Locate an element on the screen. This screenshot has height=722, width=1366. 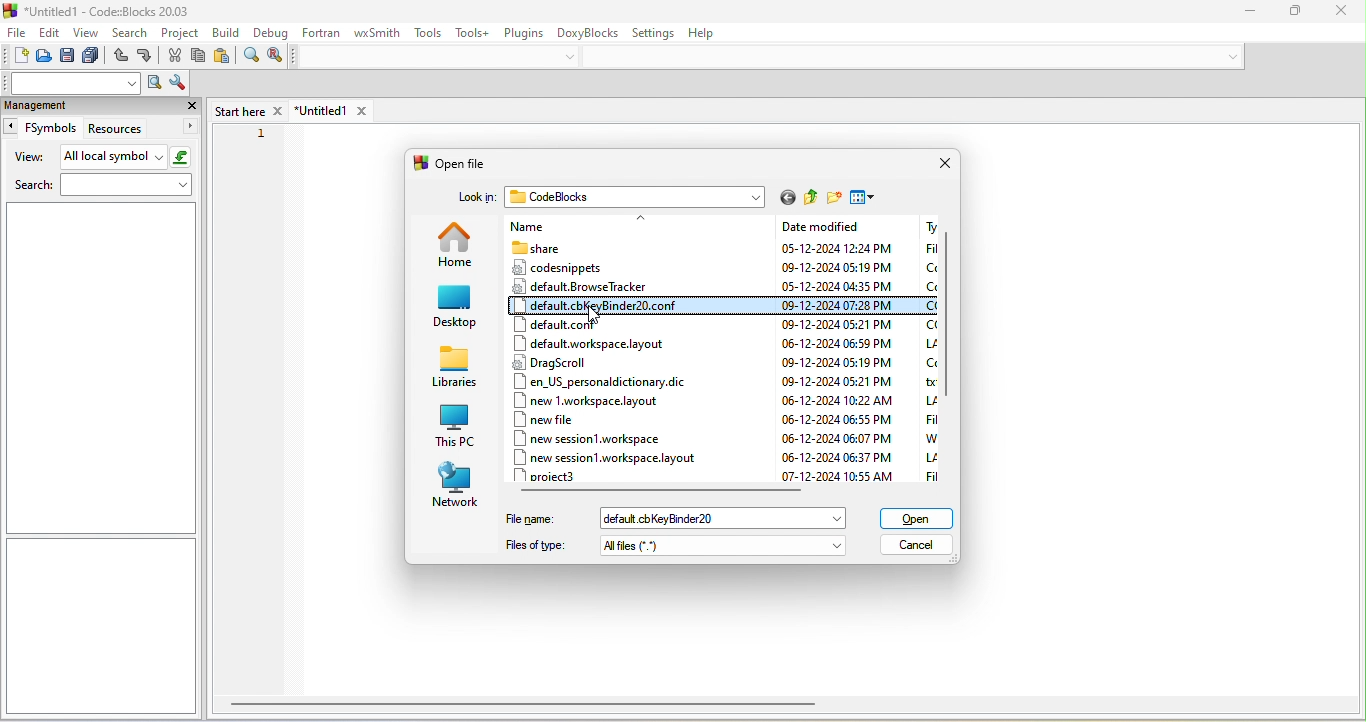
date is located at coordinates (835, 477).